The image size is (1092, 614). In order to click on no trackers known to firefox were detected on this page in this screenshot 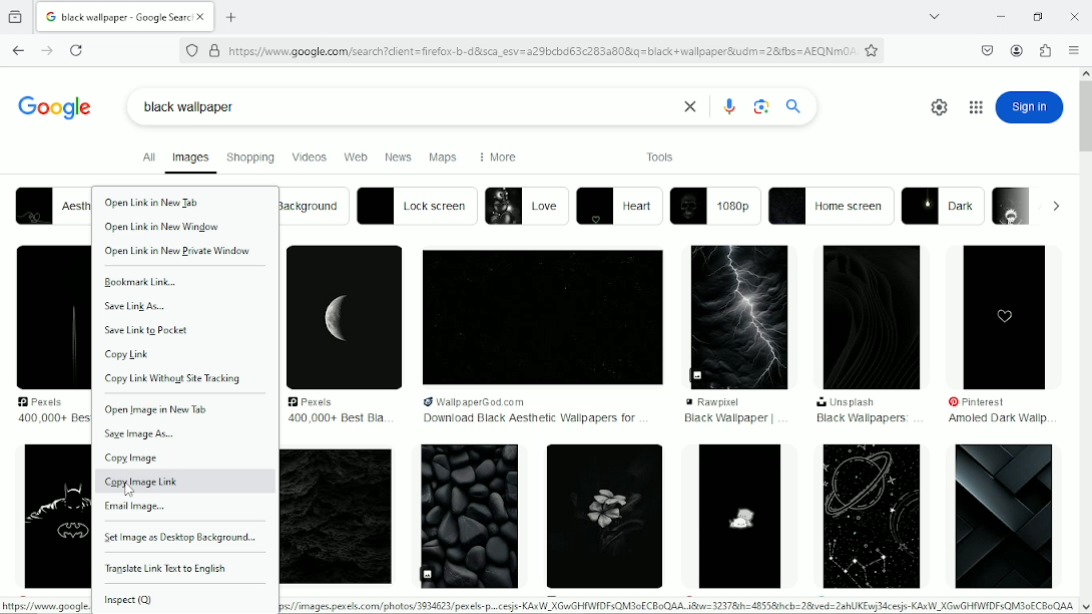, I will do `click(191, 49)`.